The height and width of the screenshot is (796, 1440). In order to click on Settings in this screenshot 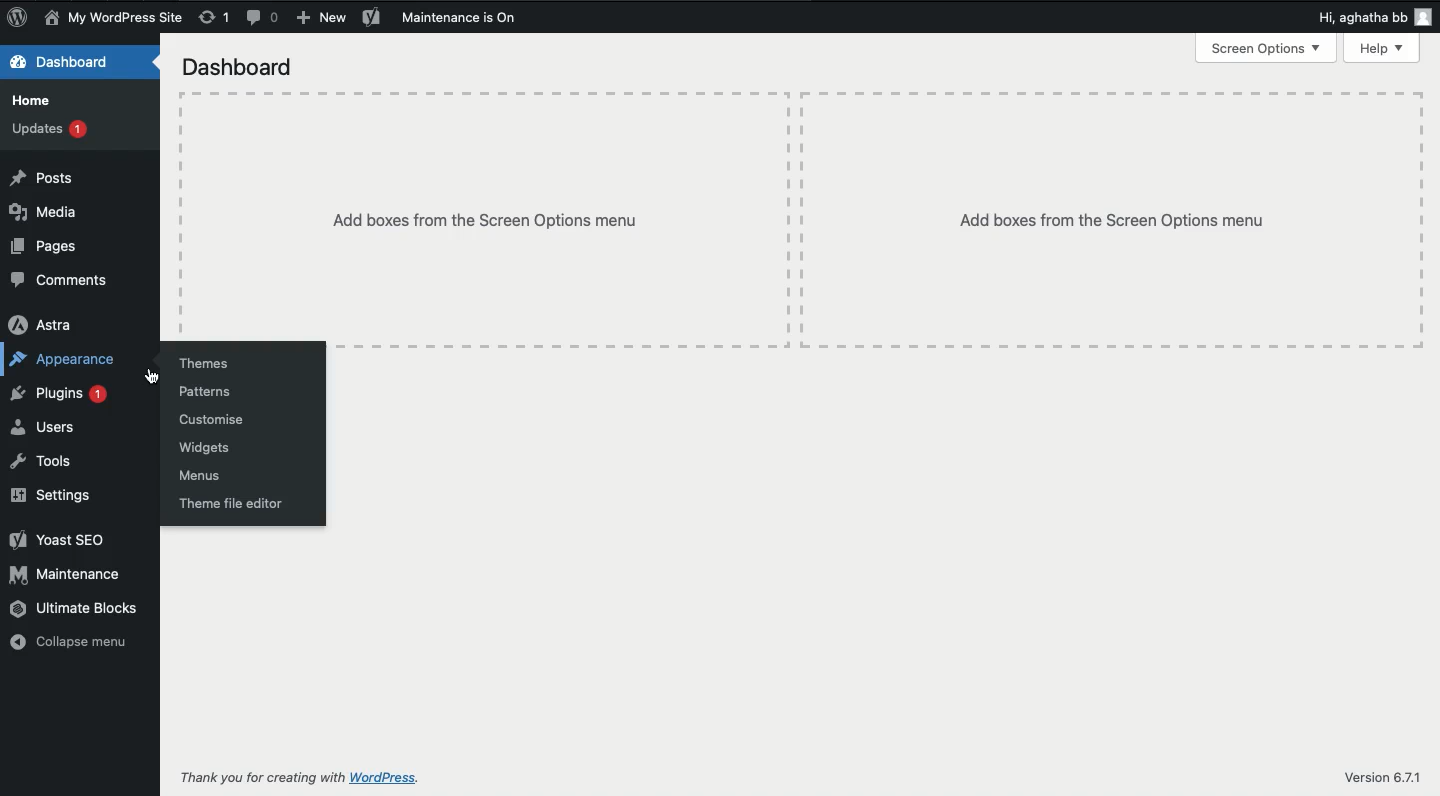, I will do `click(49, 493)`.